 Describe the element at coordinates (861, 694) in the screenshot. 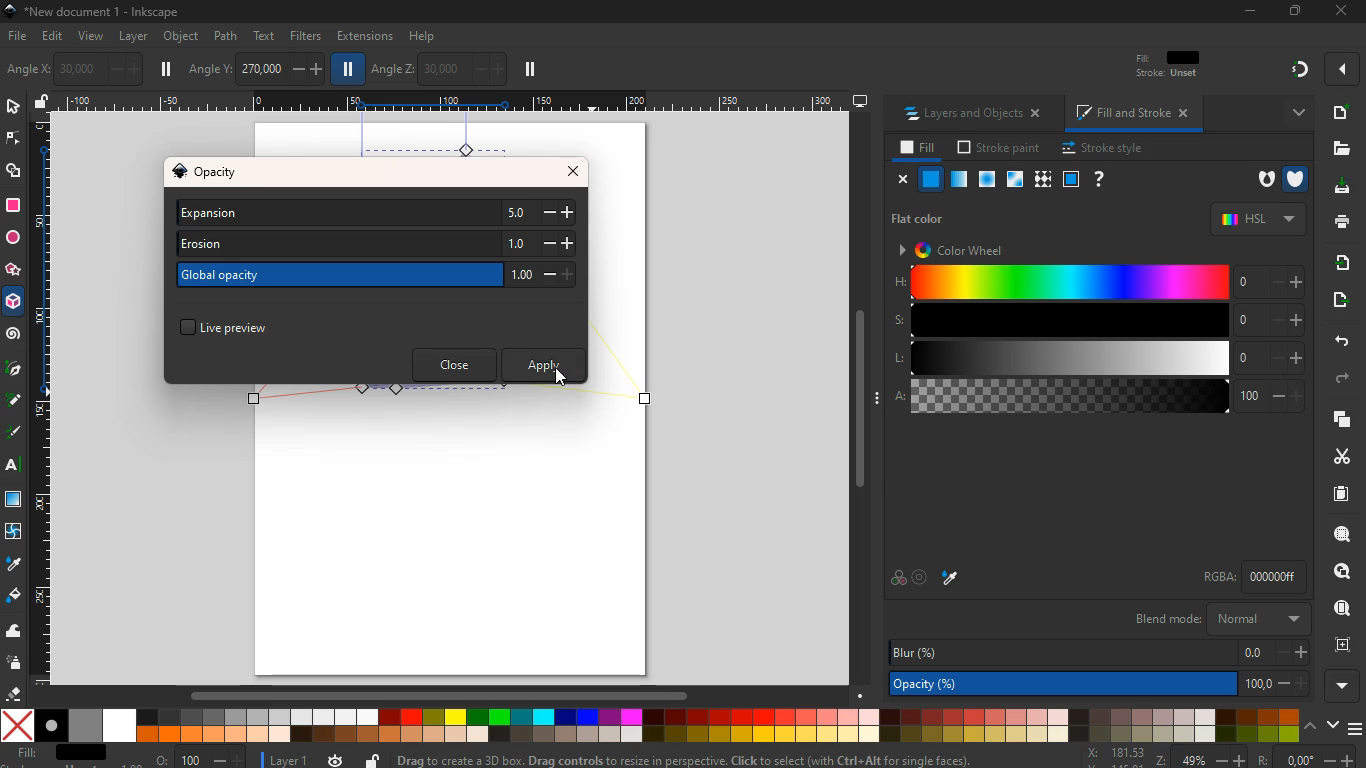

I see `Down` at that location.